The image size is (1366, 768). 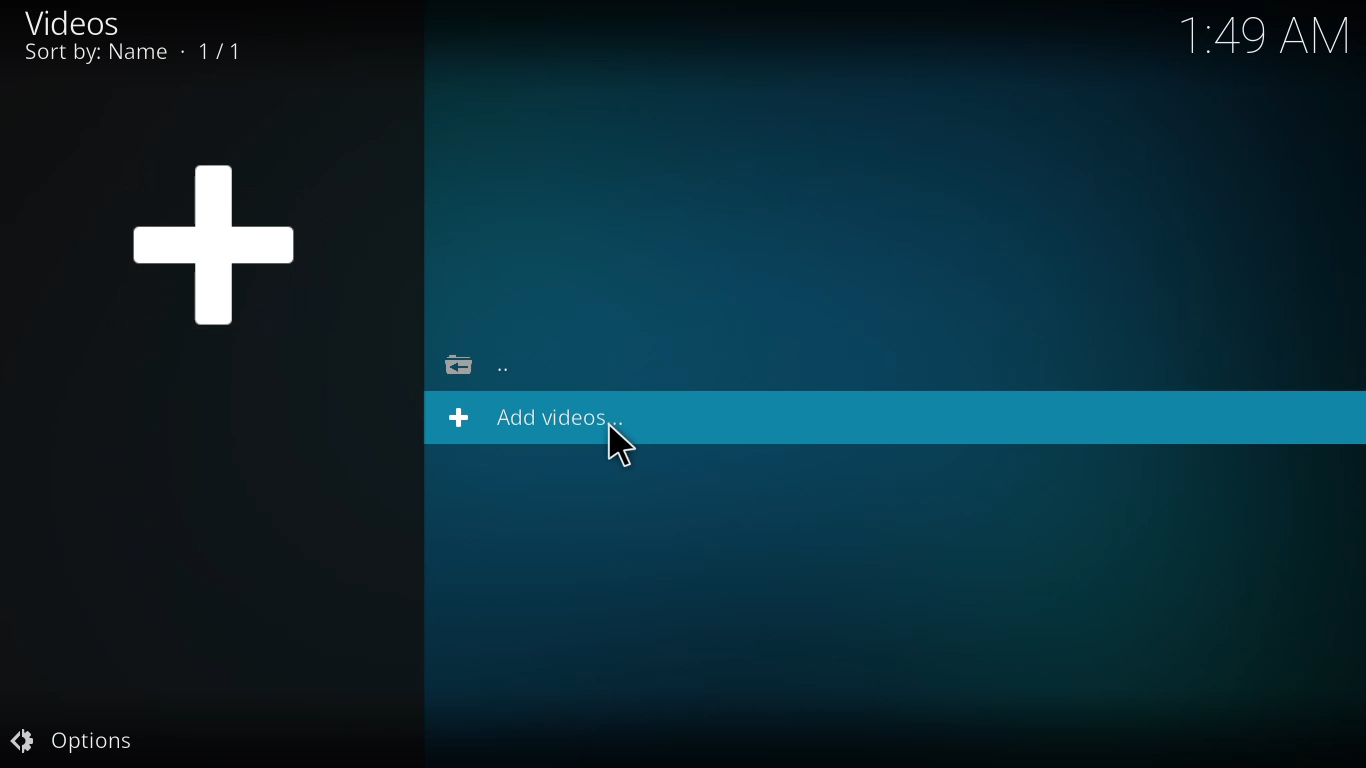 I want to click on add, so click(x=217, y=241).